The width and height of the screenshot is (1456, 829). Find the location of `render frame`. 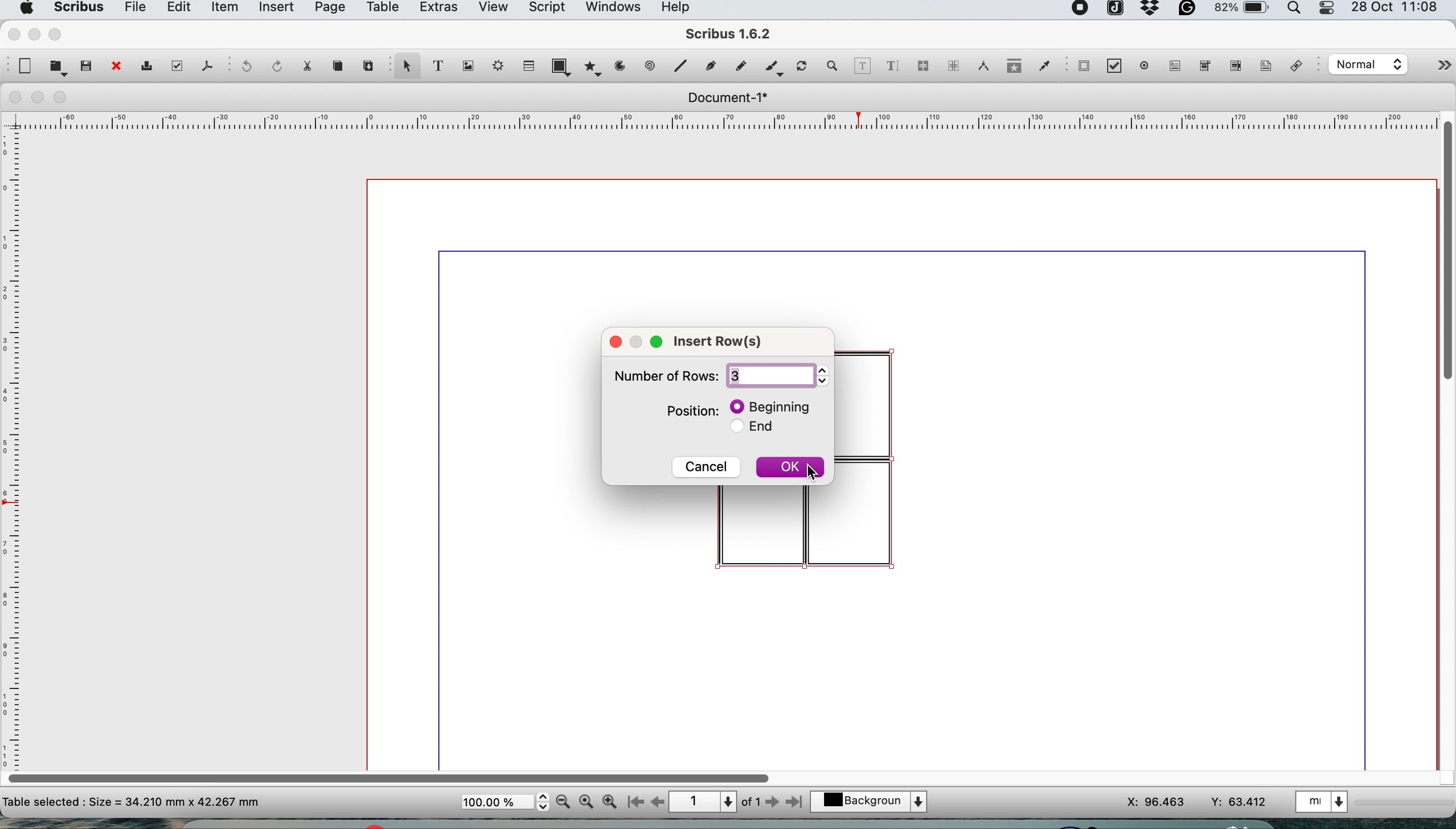

render frame is located at coordinates (495, 65).